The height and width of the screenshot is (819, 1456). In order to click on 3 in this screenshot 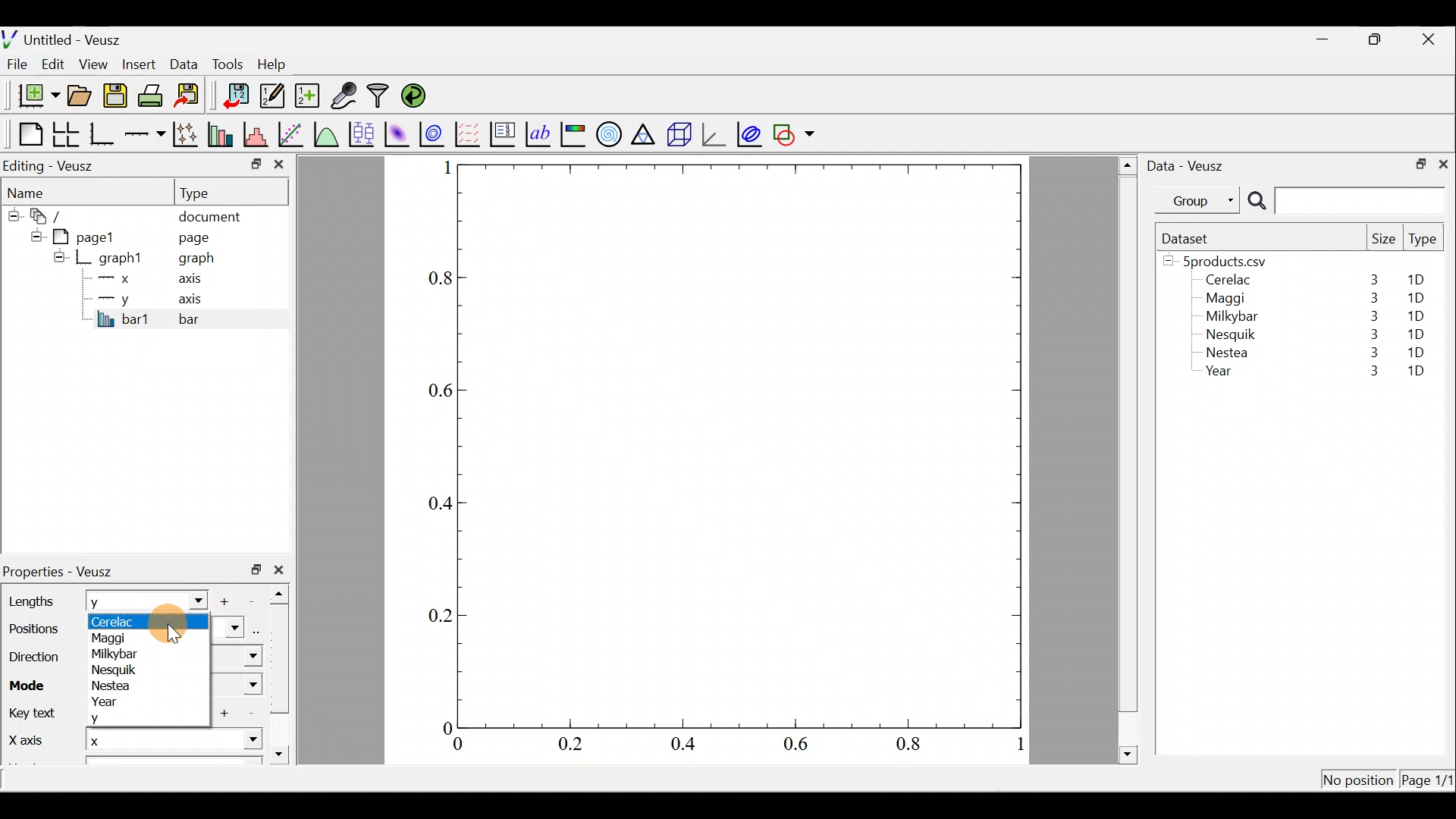, I will do `click(1371, 316)`.